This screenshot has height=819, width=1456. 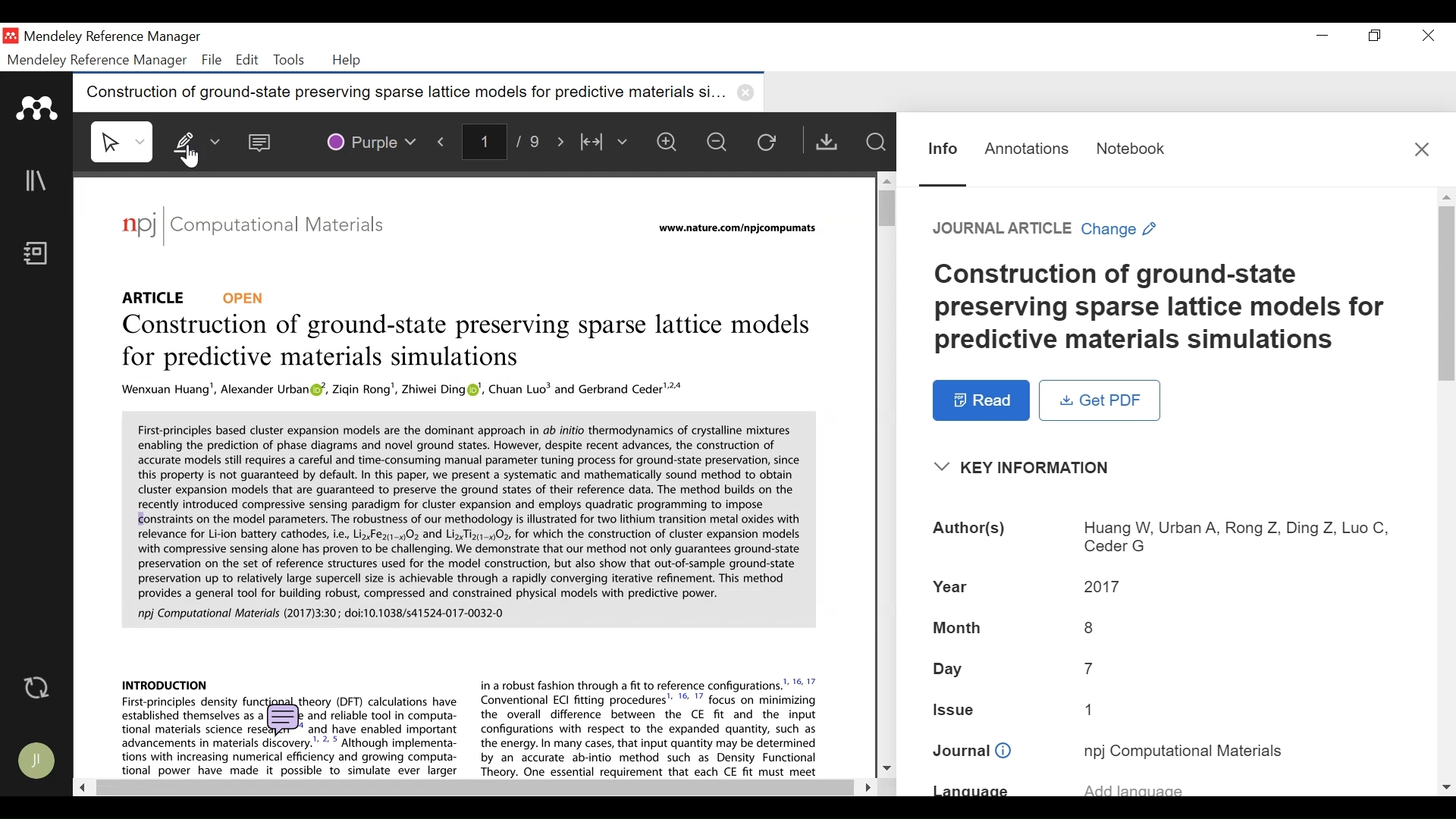 What do you see at coordinates (770, 141) in the screenshot?
I see `Reload` at bounding box center [770, 141].